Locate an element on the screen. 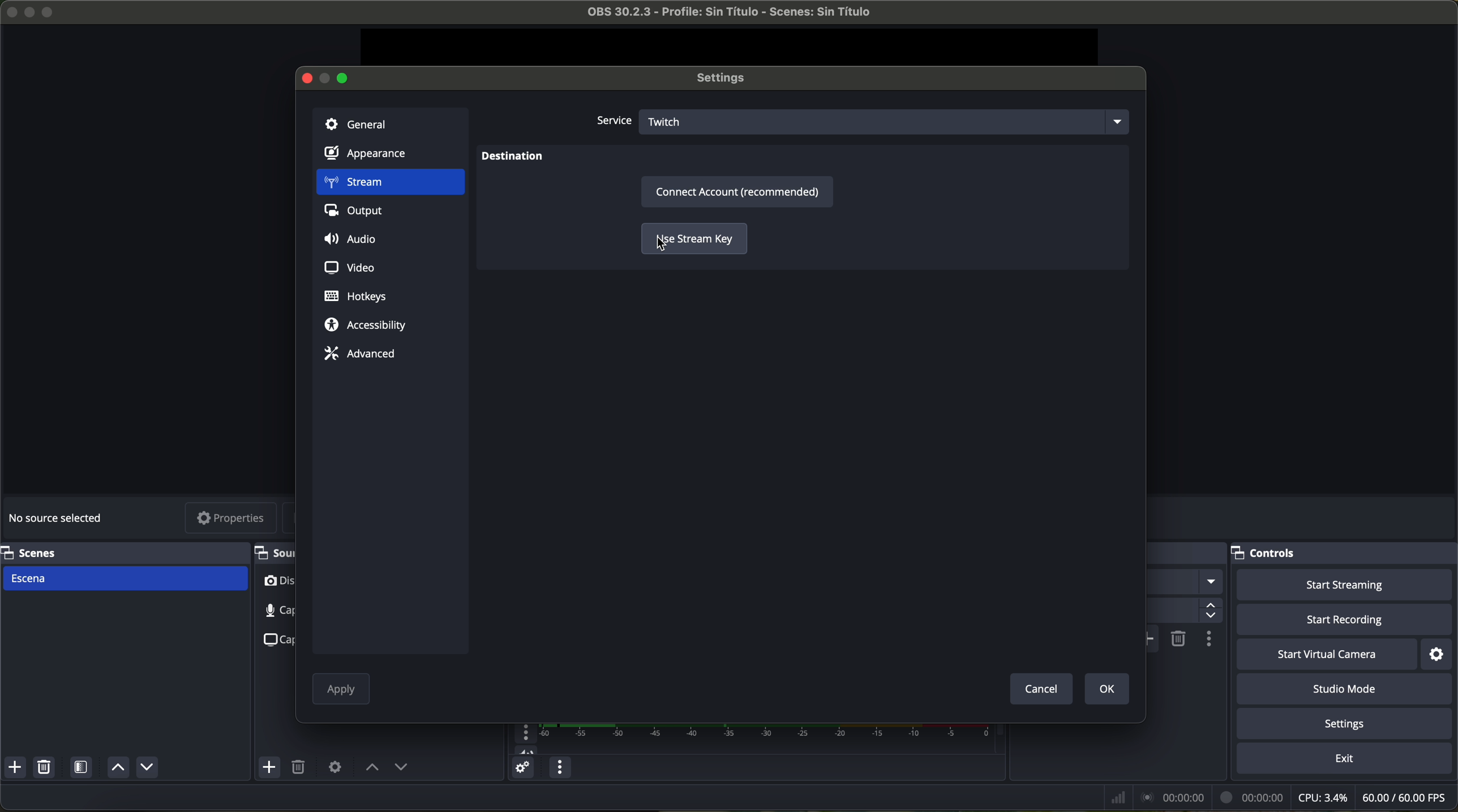  minimize OBS Studio is located at coordinates (32, 11).